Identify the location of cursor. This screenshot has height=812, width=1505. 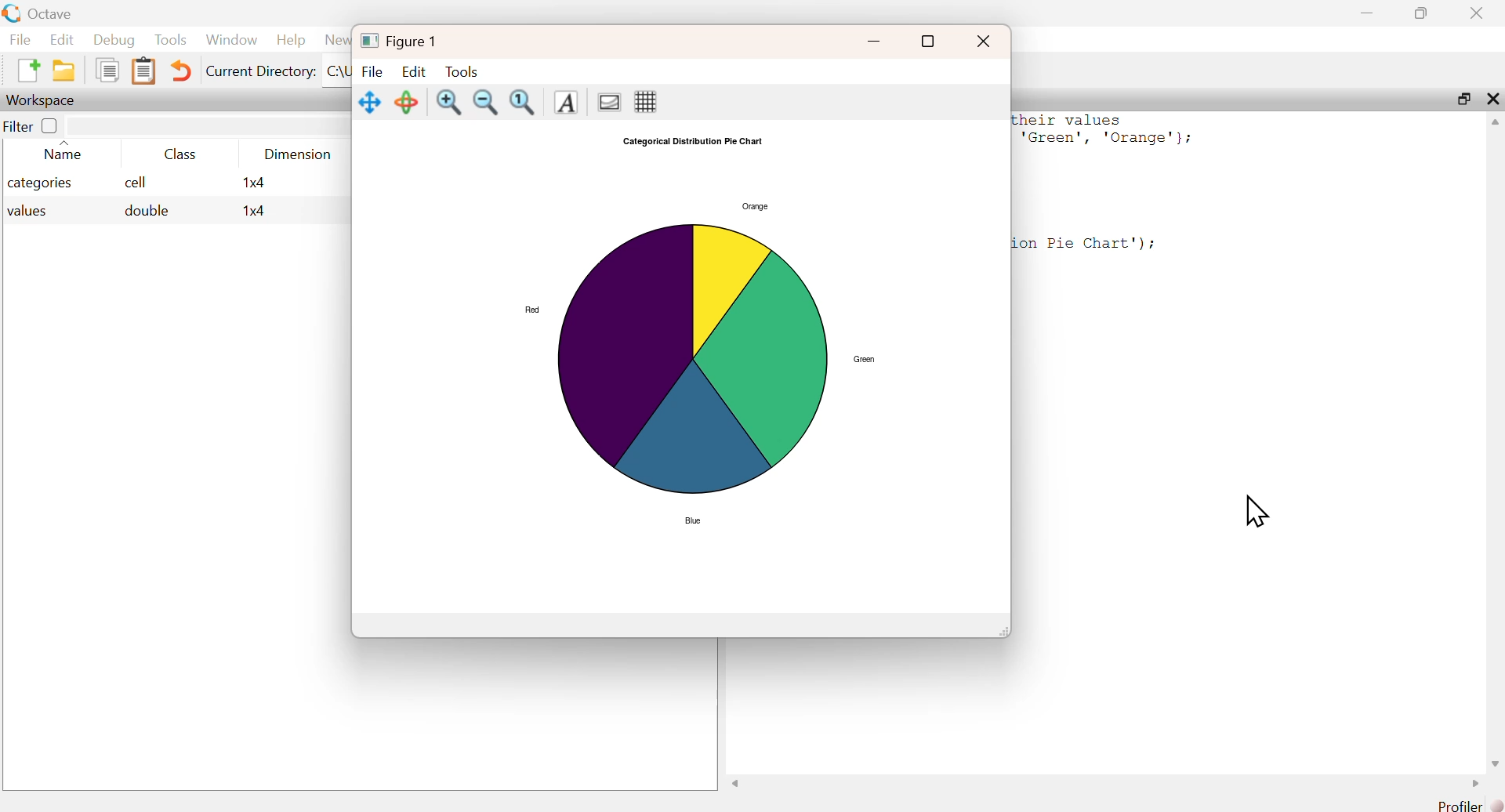
(1255, 511).